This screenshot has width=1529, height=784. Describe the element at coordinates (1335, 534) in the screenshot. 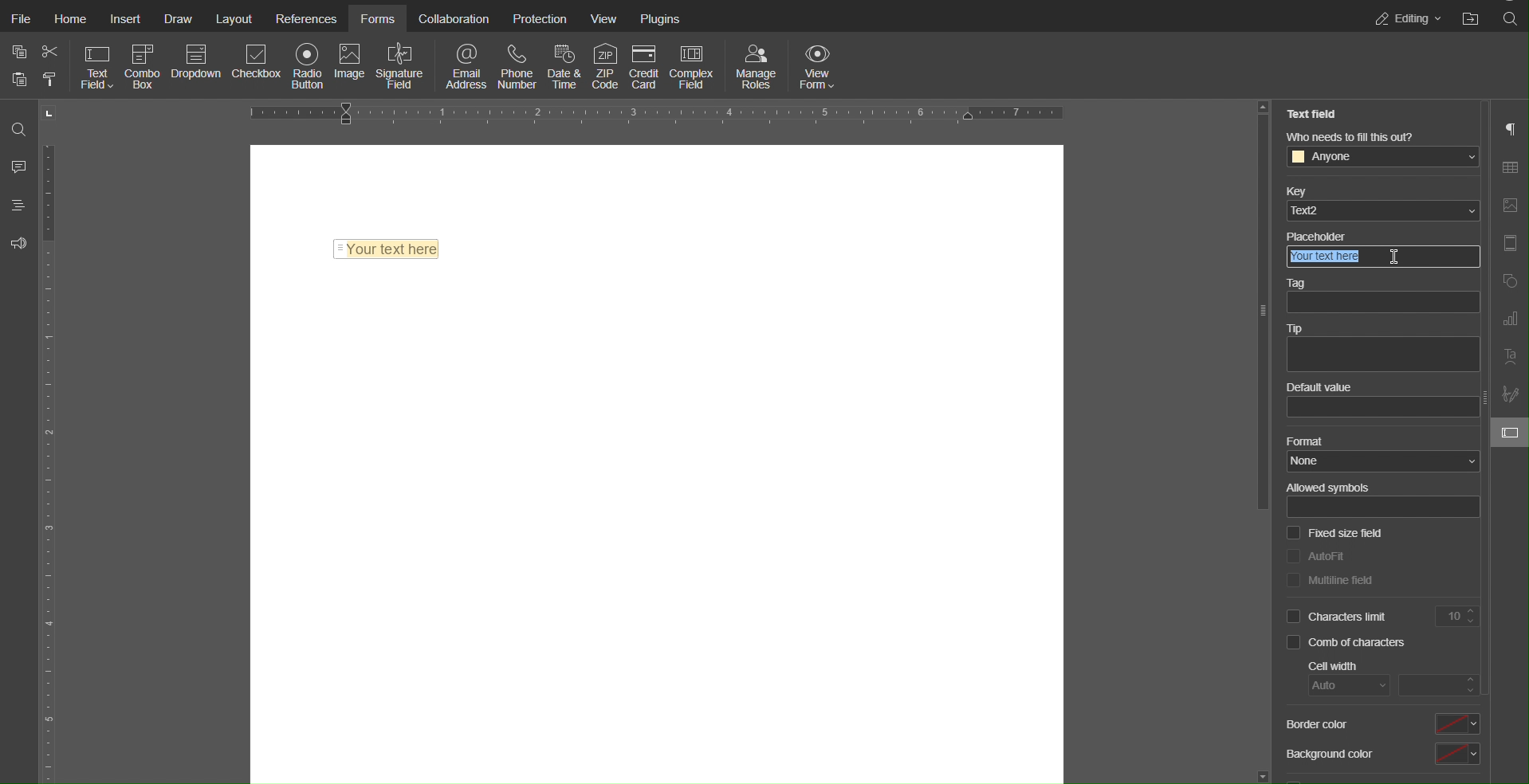

I see `Fixed size field` at that location.